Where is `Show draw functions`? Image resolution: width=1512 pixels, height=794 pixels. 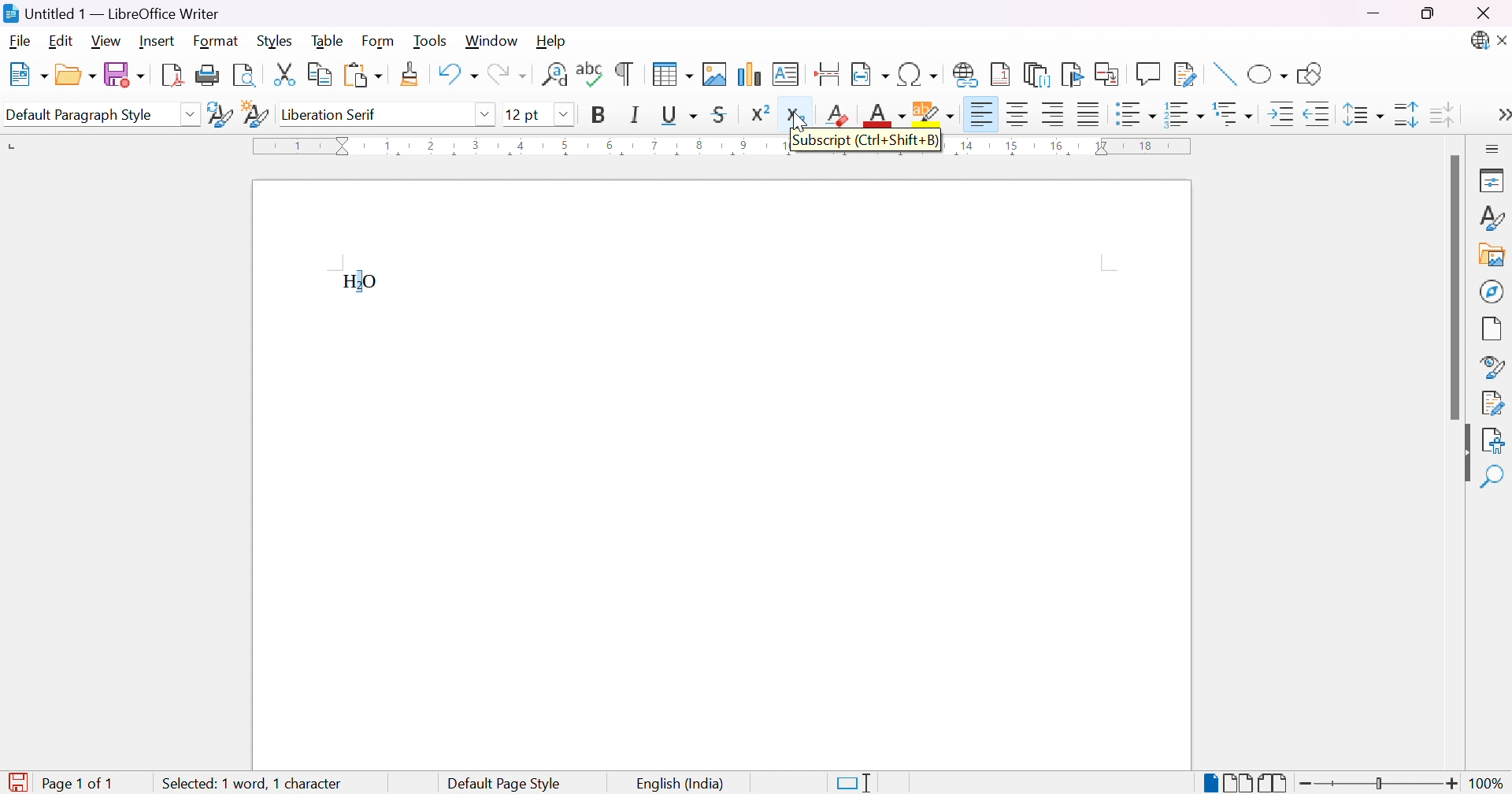 Show draw functions is located at coordinates (1307, 74).